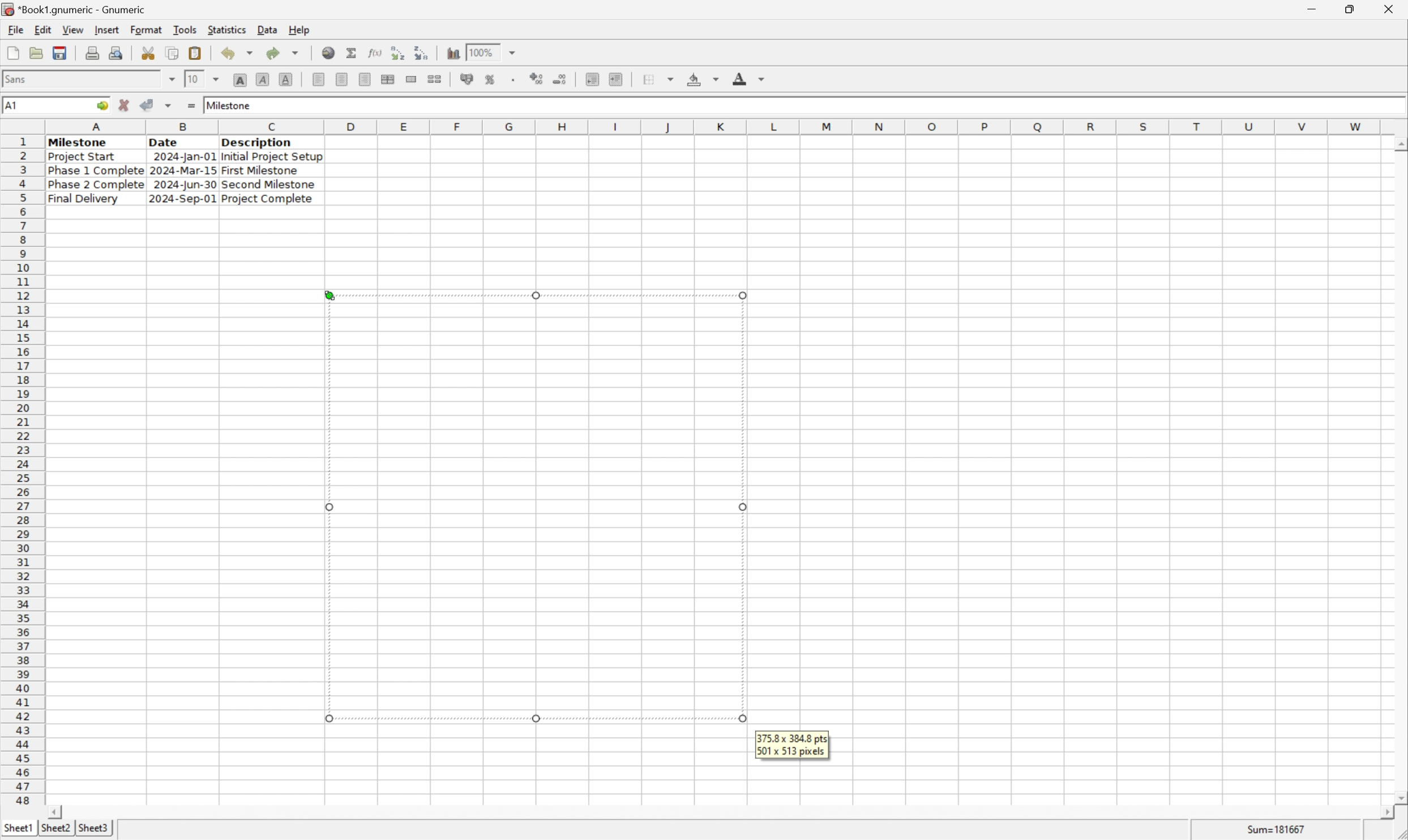 The width and height of the screenshot is (1408, 840). Describe the element at coordinates (183, 170) in the screenshot. I see `Table` at that location.